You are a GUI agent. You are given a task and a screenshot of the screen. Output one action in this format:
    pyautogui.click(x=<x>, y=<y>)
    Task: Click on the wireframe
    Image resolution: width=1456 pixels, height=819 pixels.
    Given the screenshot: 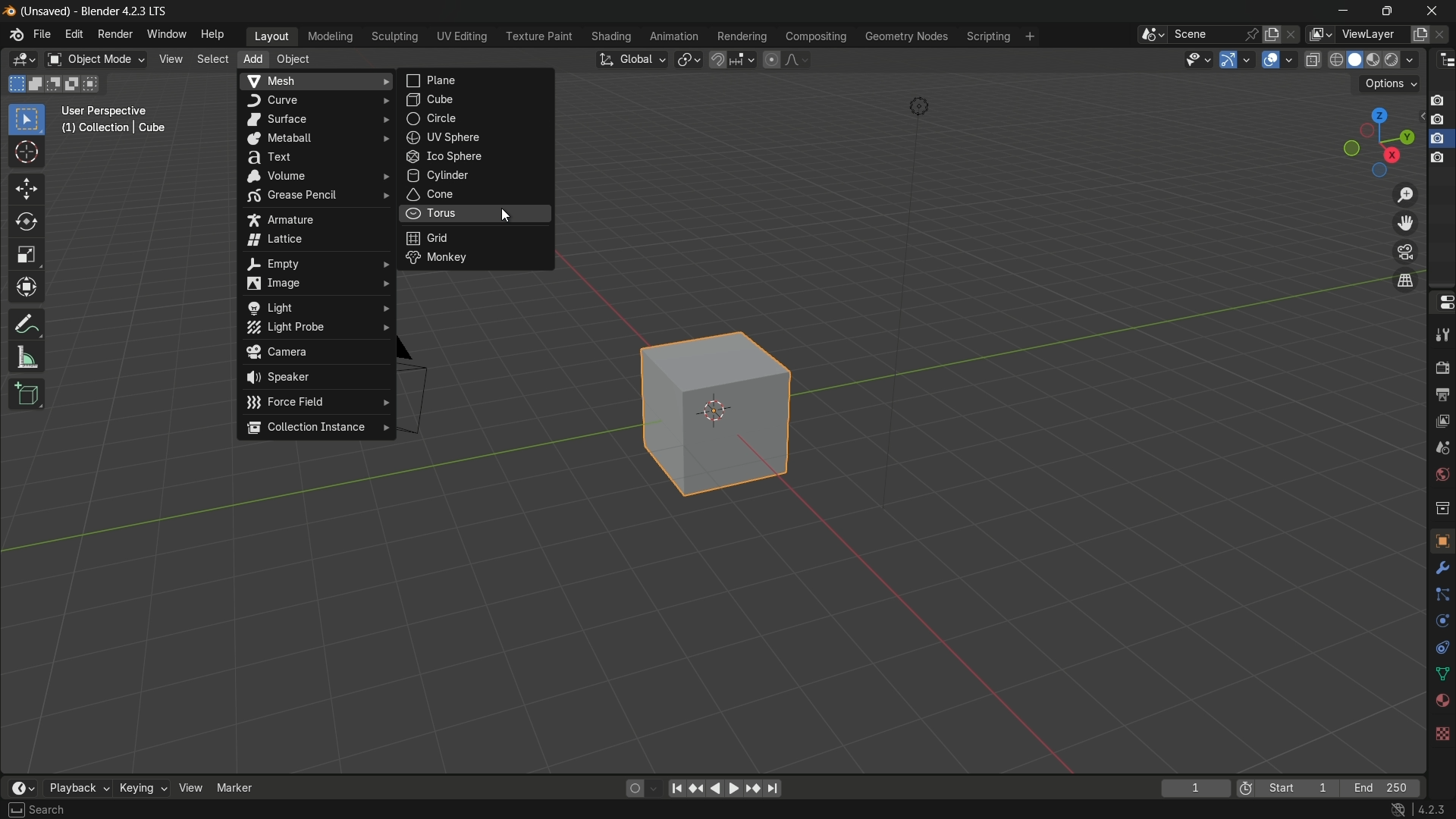 What is the action you would take?
    pyautogui.click(x=1336, y=59)
    